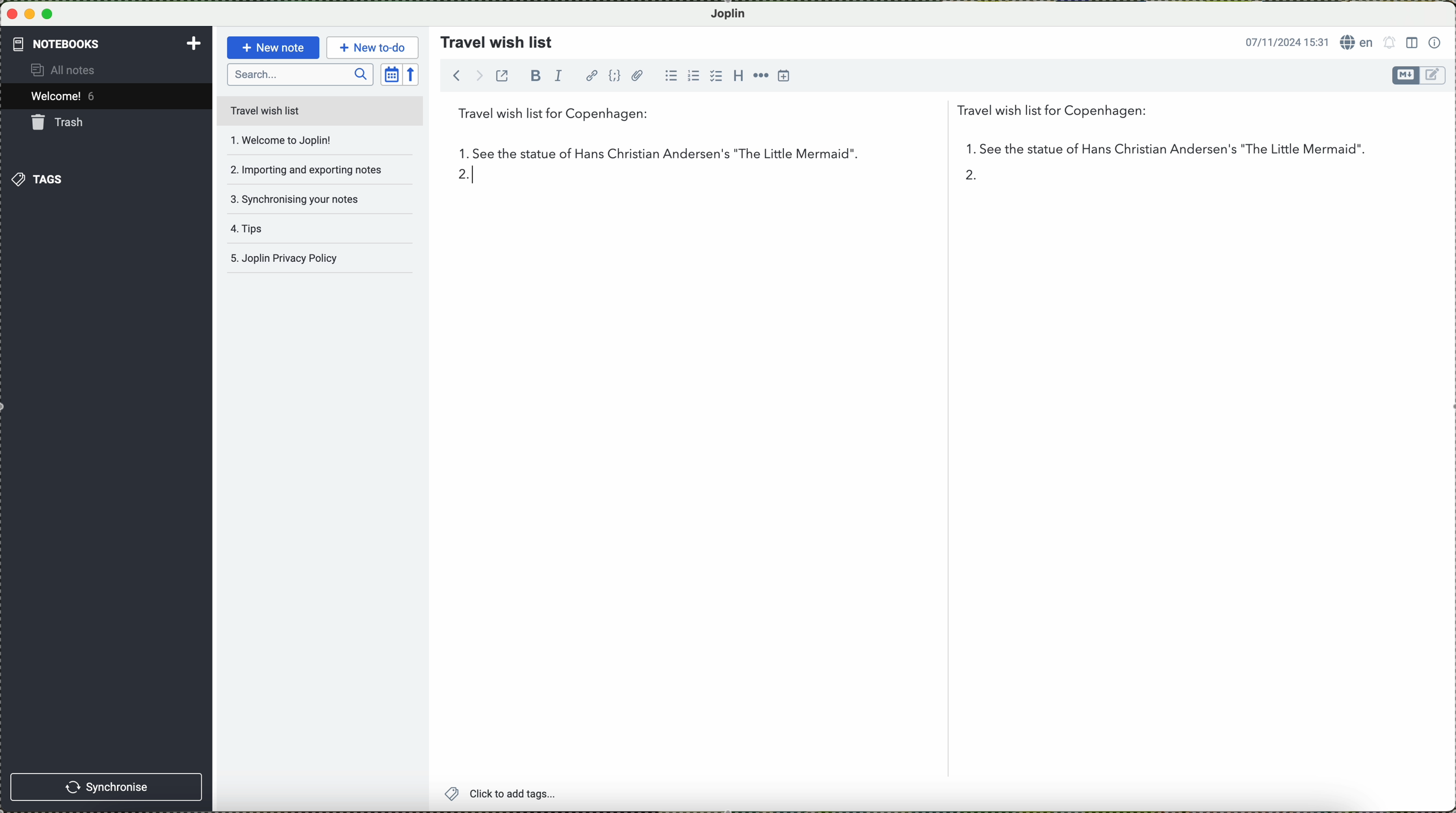 This screenshot has height=813, width=1456. I want to click on bold, so click(536, 75).